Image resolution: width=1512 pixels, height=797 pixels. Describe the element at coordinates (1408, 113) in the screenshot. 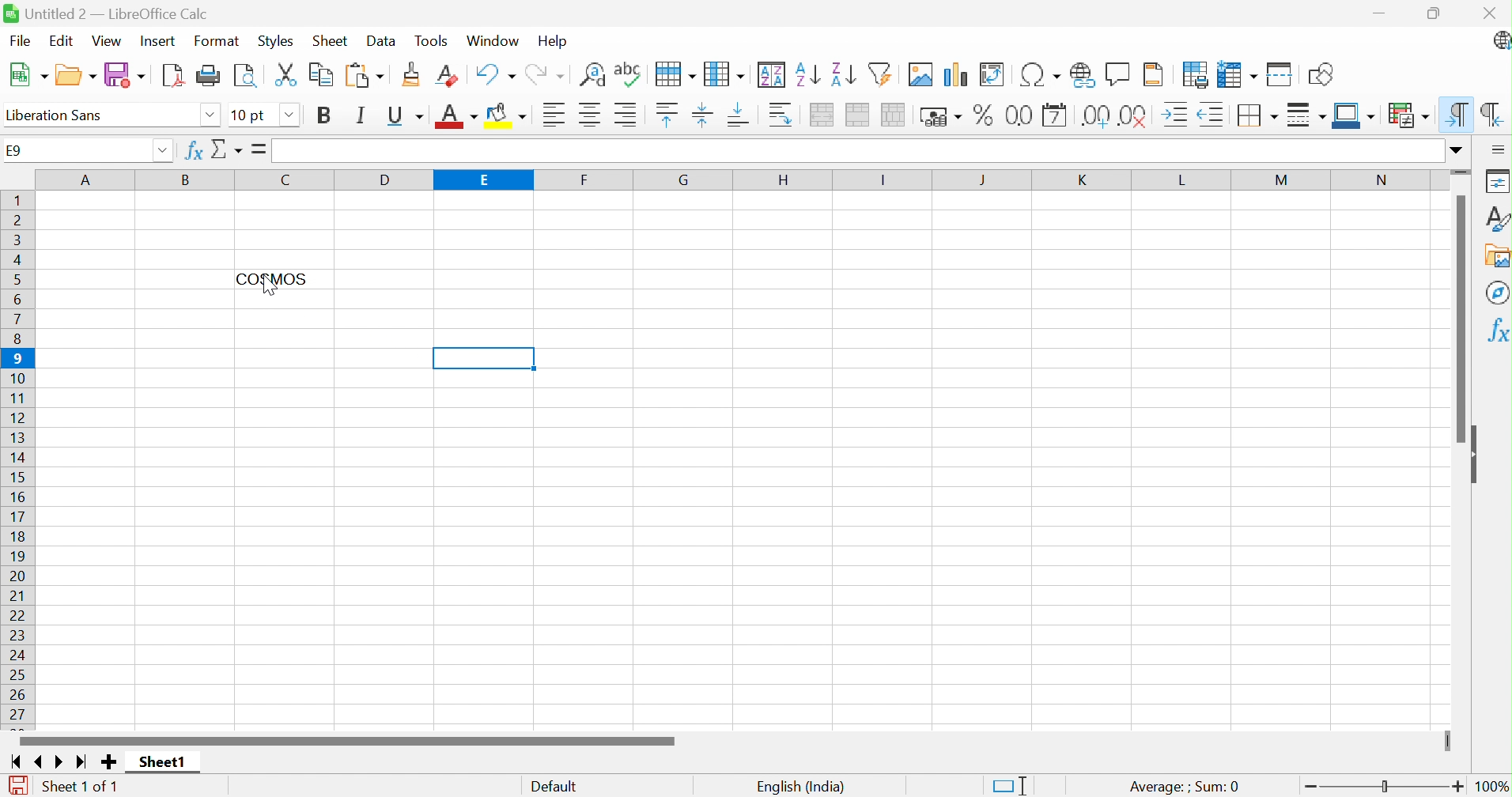

I see `Conditional` at that location.